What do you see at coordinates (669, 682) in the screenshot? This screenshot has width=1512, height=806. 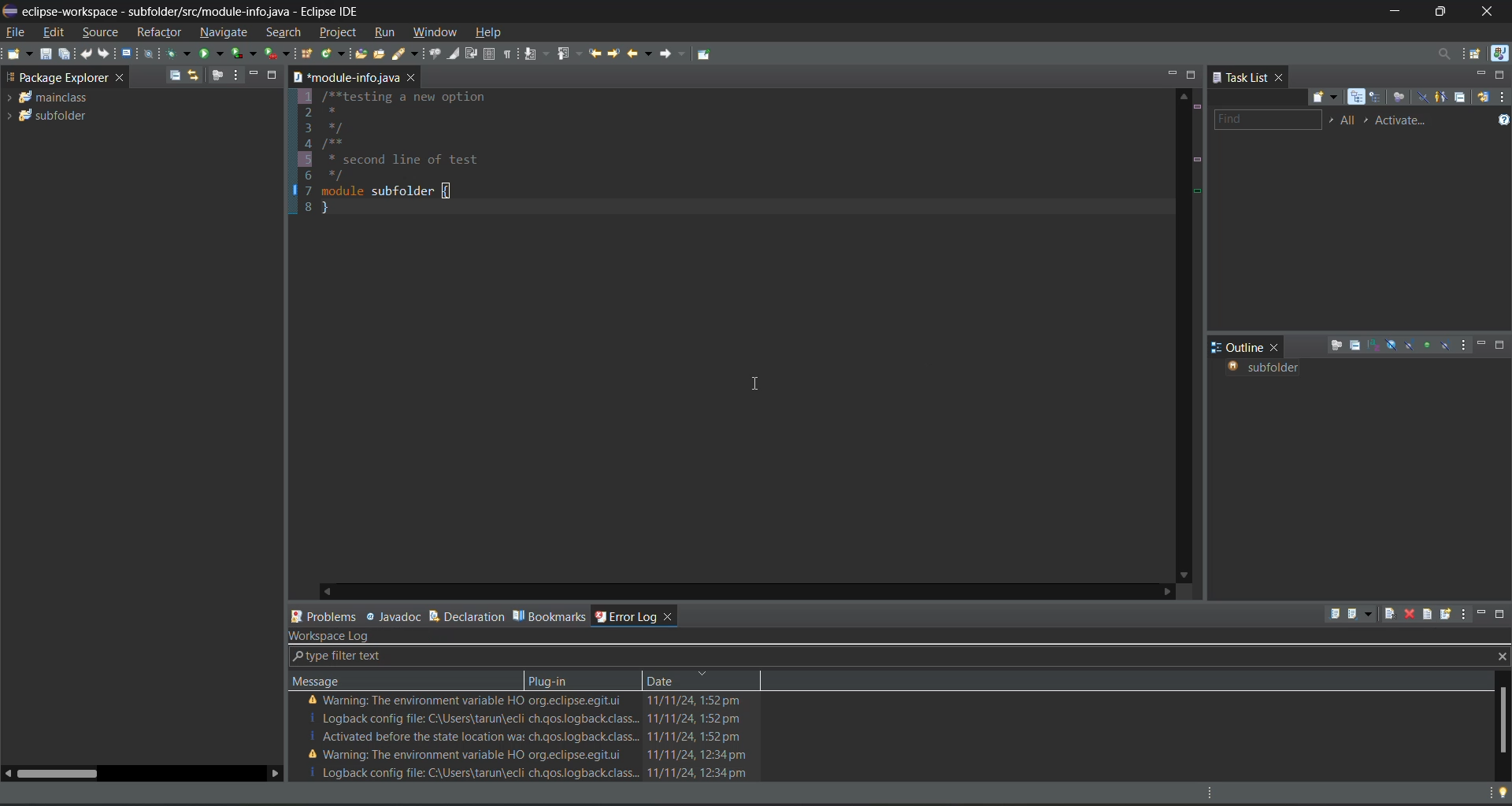 I see `date` at bounding box center [669, 682].